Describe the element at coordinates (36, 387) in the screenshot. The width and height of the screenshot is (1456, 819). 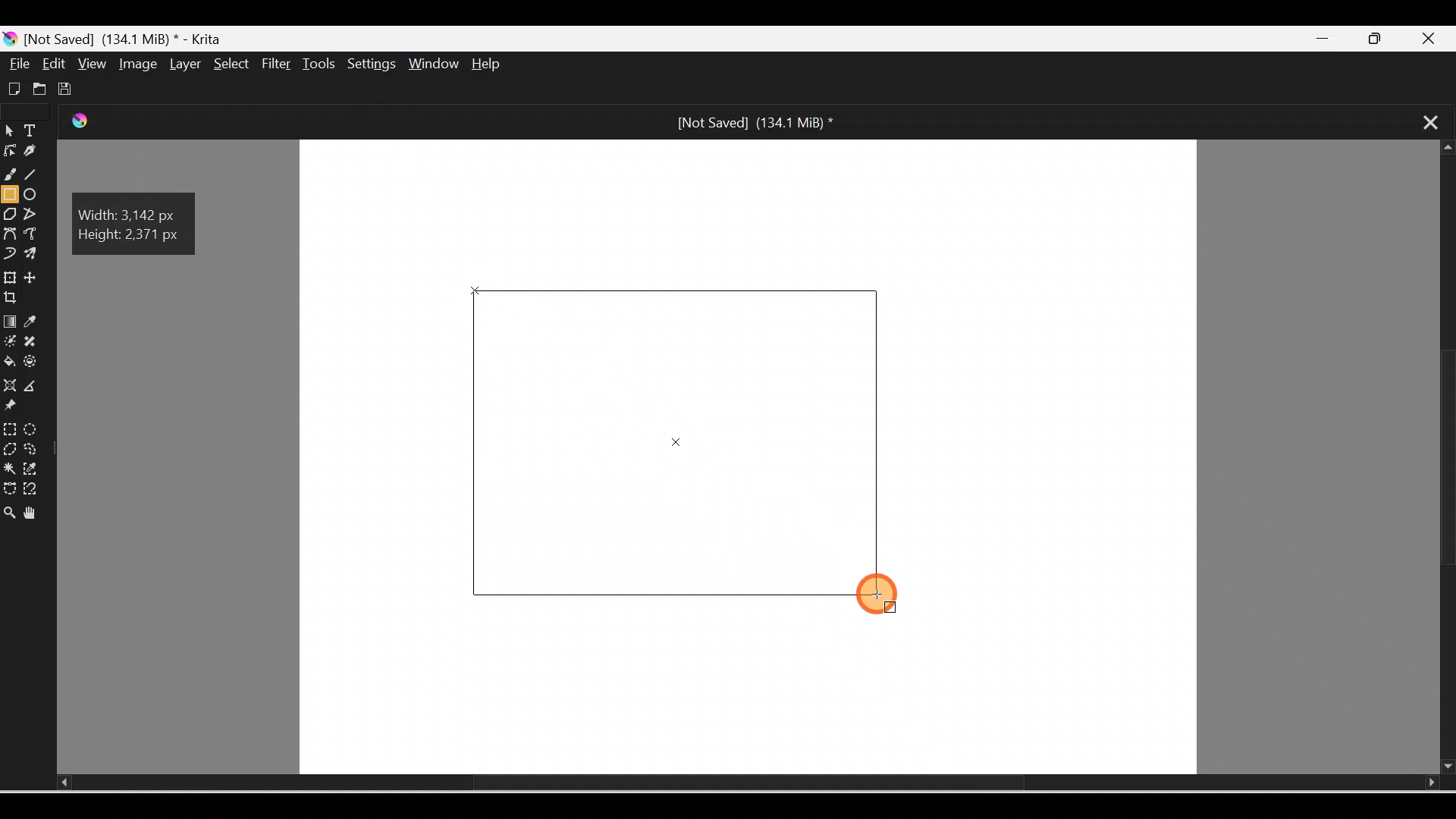
I see `Measure the distance between two points` at that location.